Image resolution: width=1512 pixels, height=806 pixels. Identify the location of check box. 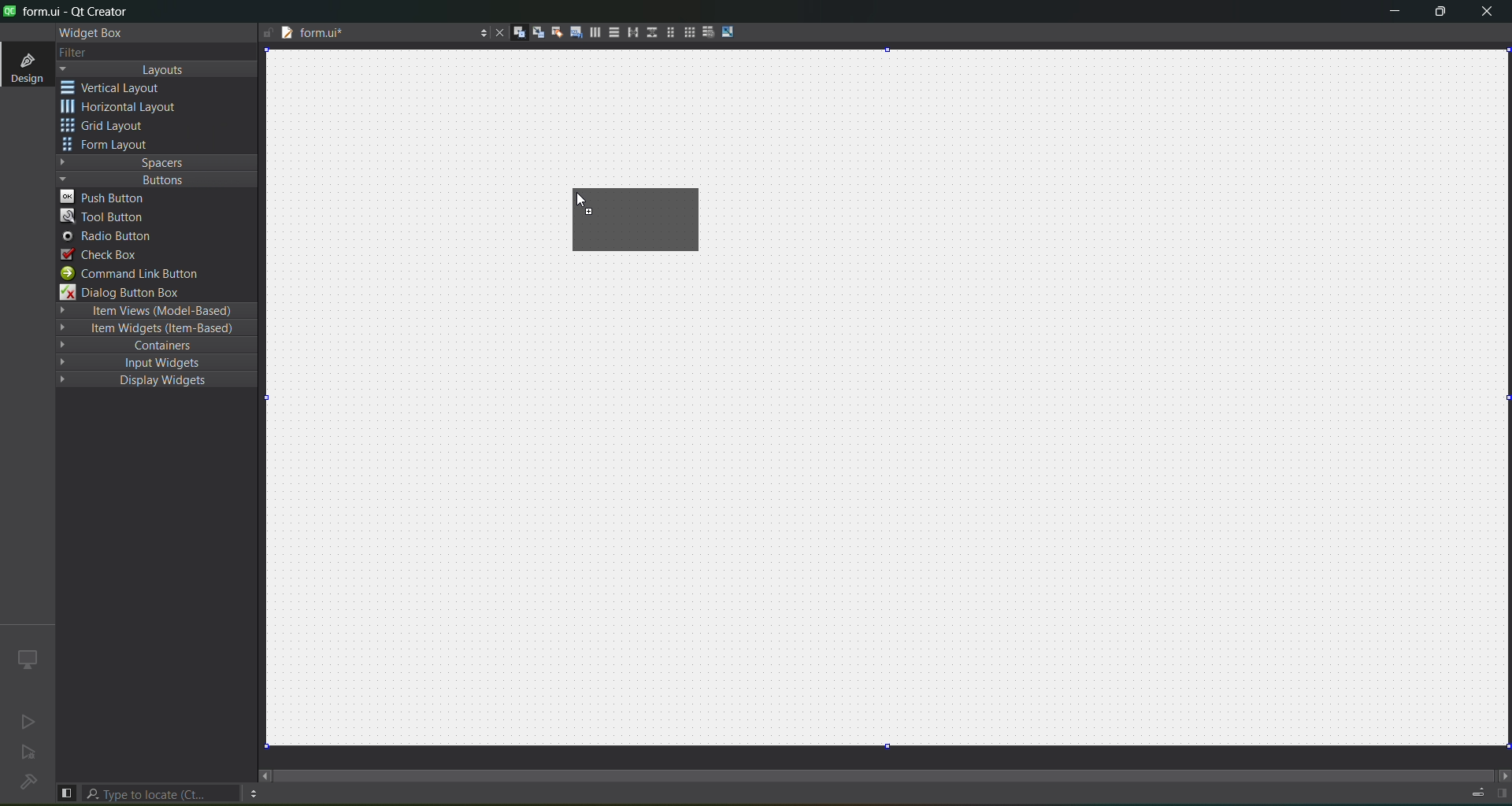
(101, 254).